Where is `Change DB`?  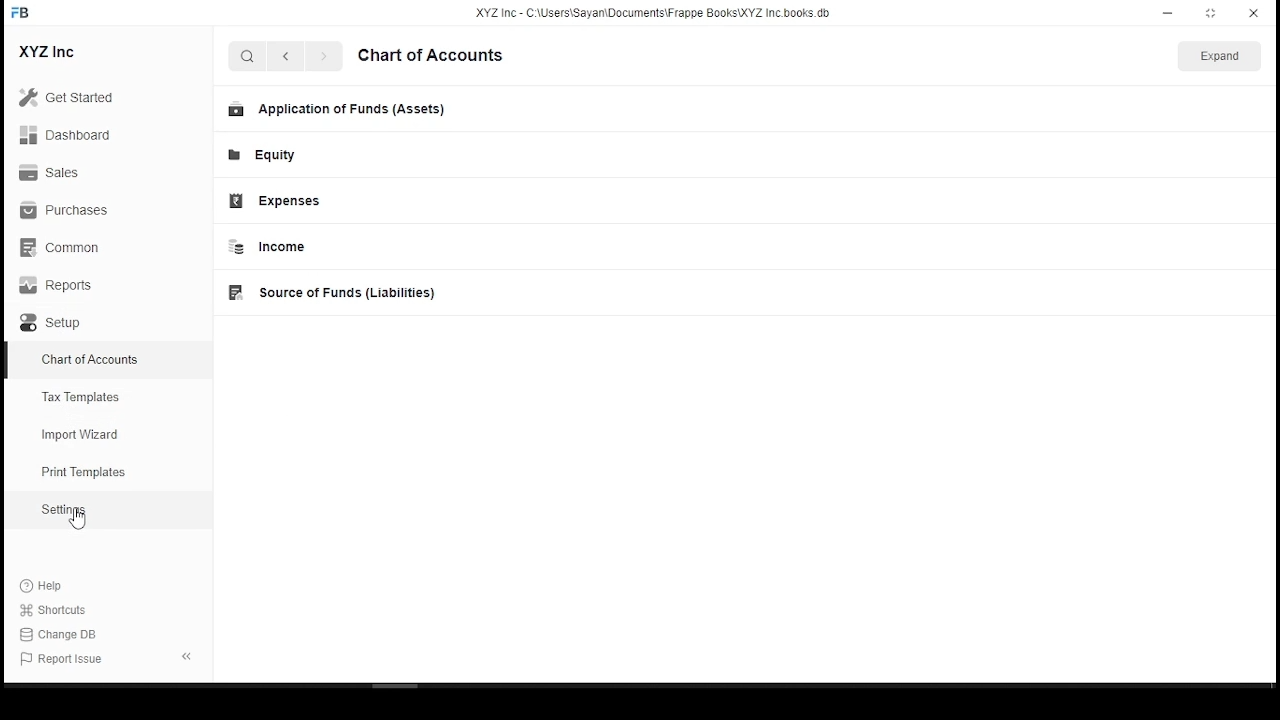 Change DB is located at coordinates (61, 634).